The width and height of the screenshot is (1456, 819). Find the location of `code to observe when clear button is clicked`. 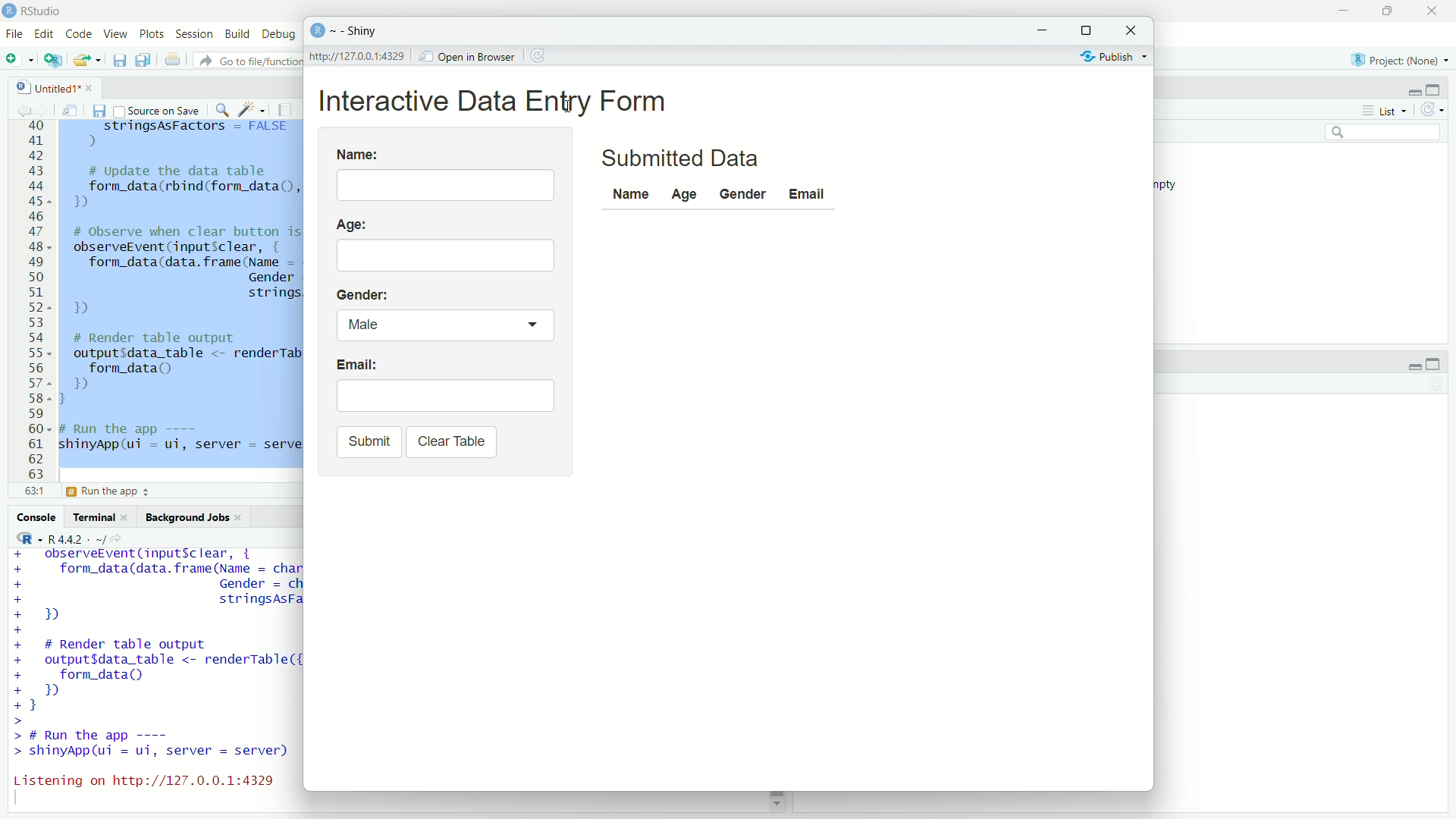

code to observe when clear button is clicked is located at coordinates (189, 272).